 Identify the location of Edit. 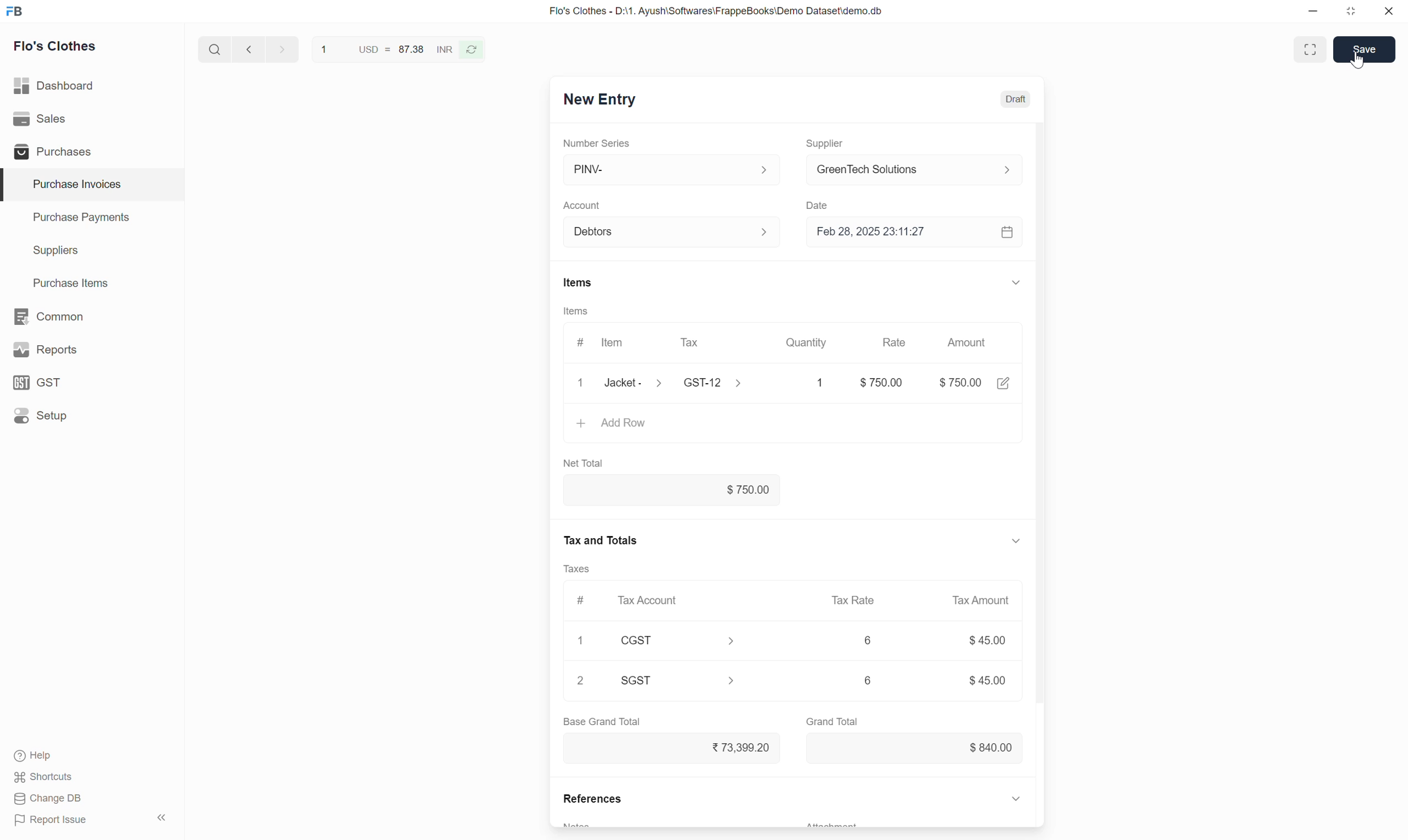
(1004, 383).